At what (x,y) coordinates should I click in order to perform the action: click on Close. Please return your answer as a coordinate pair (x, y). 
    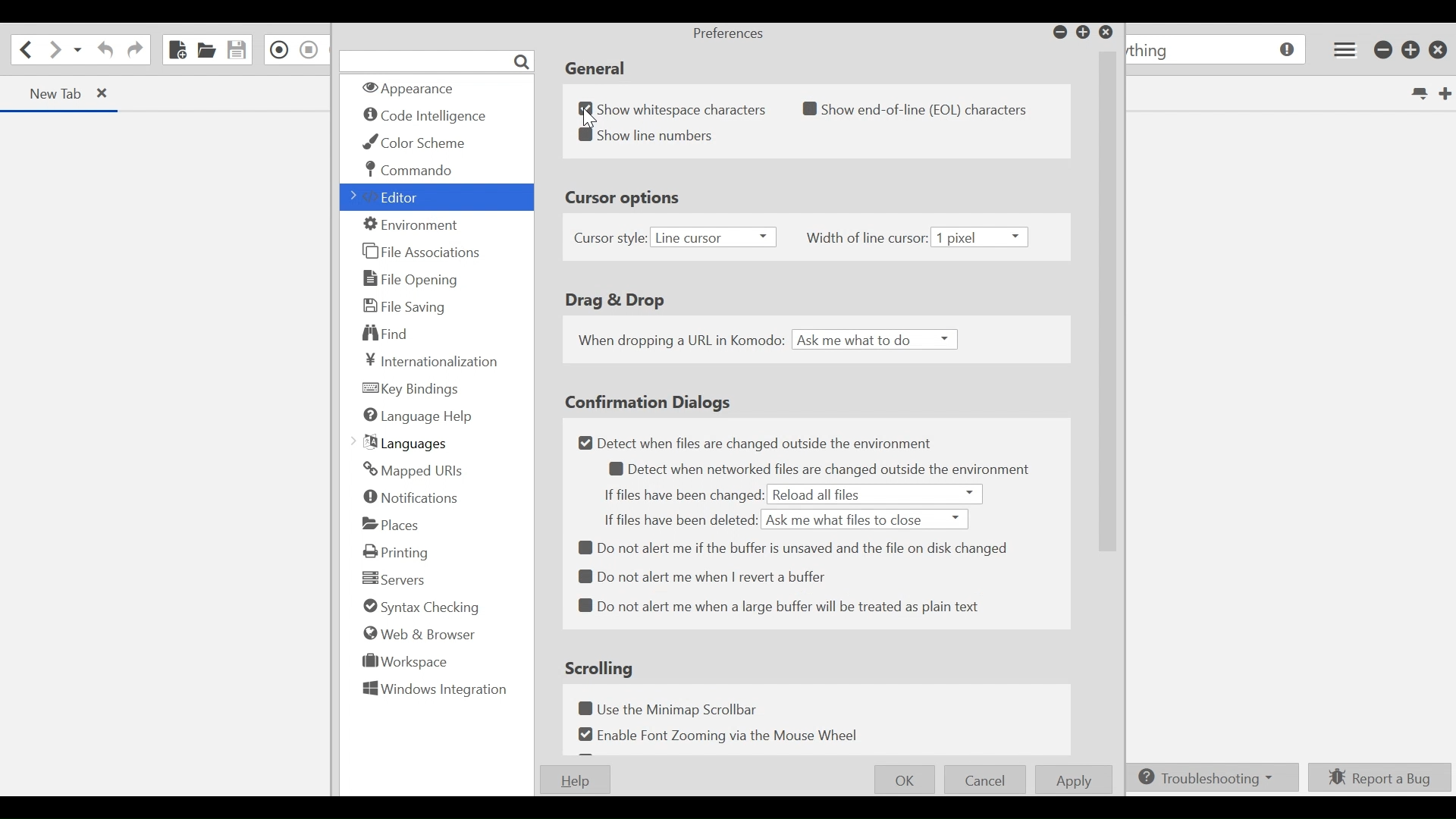
    Looking at the image, I should click on (1439, 50).